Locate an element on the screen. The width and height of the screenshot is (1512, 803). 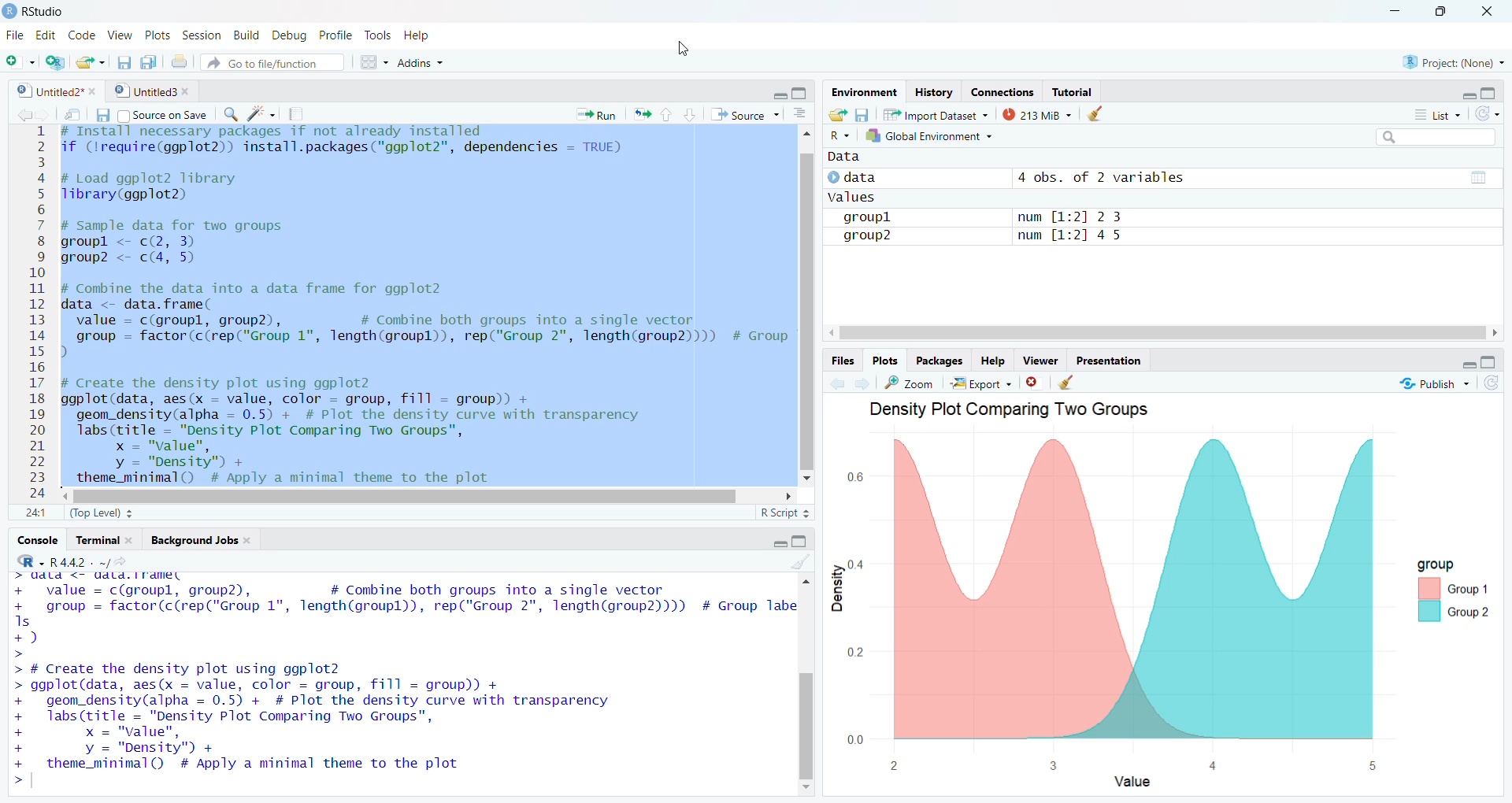
close slide bar is located at coordinates (969, 333).